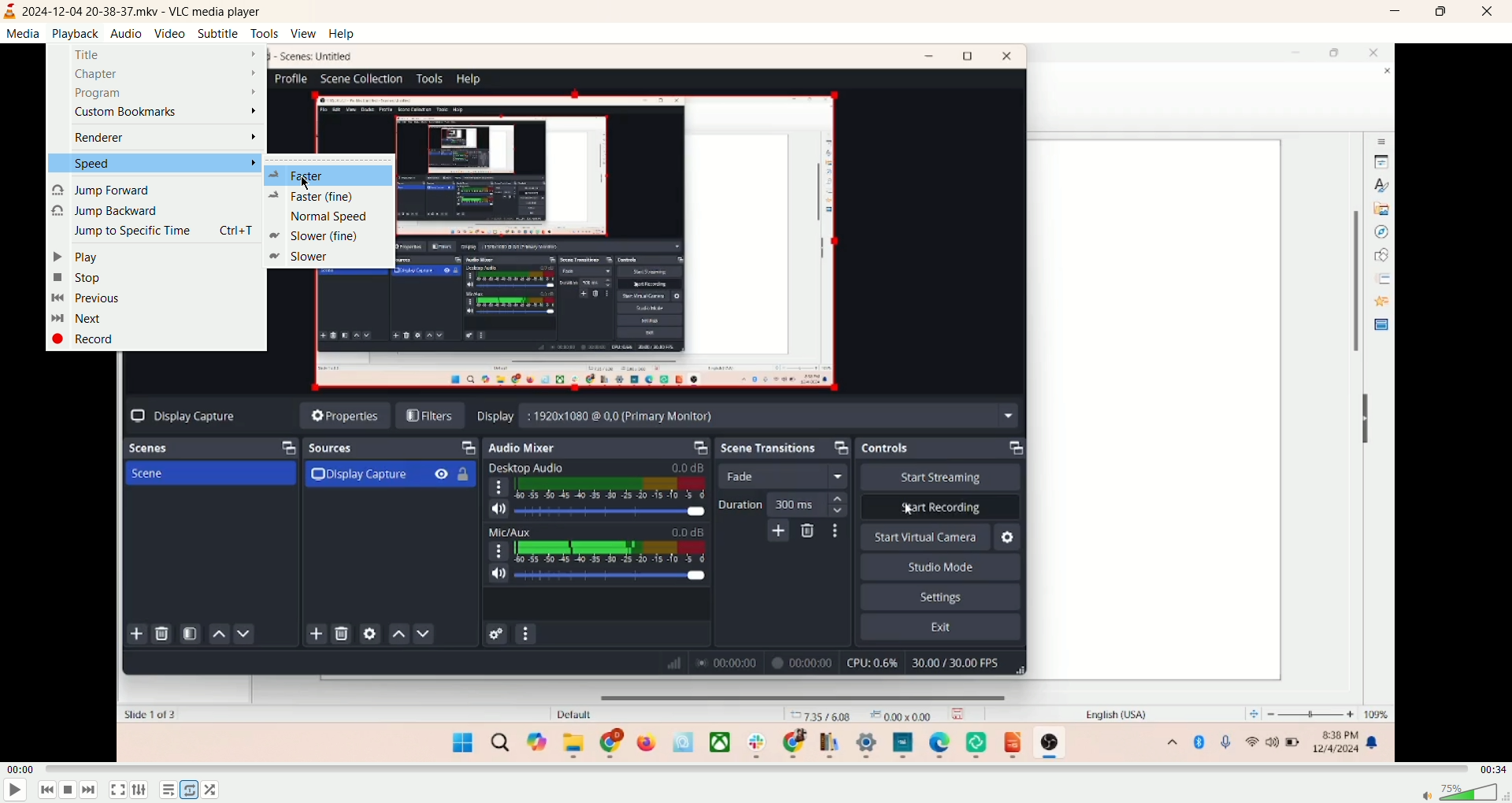 The image size is (1512, 803). What do you see at coordinates (1458, 791) in the screenshot?
I see `volume bar` at bounding box center [1458, 791].